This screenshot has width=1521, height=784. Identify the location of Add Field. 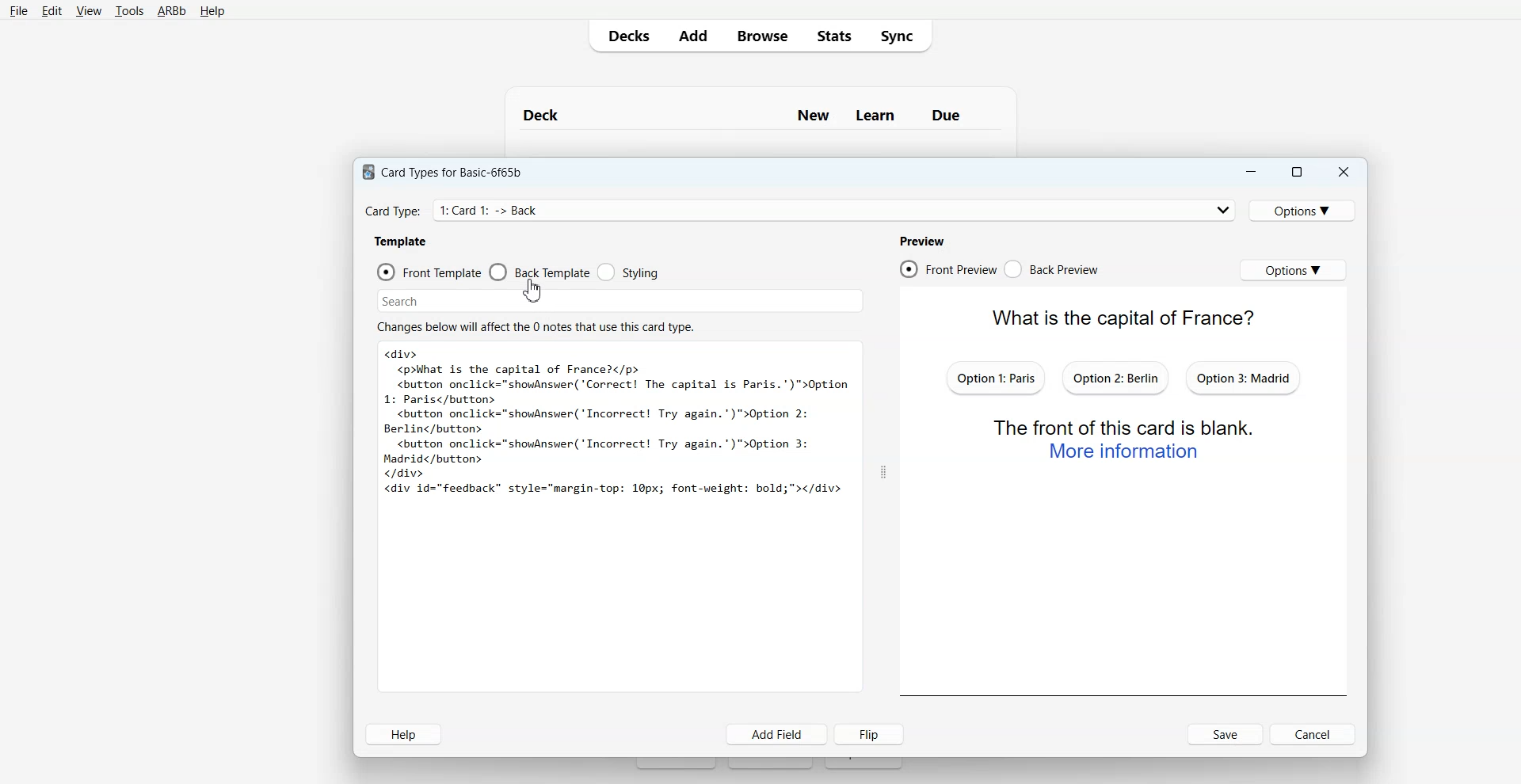
(777, 734).